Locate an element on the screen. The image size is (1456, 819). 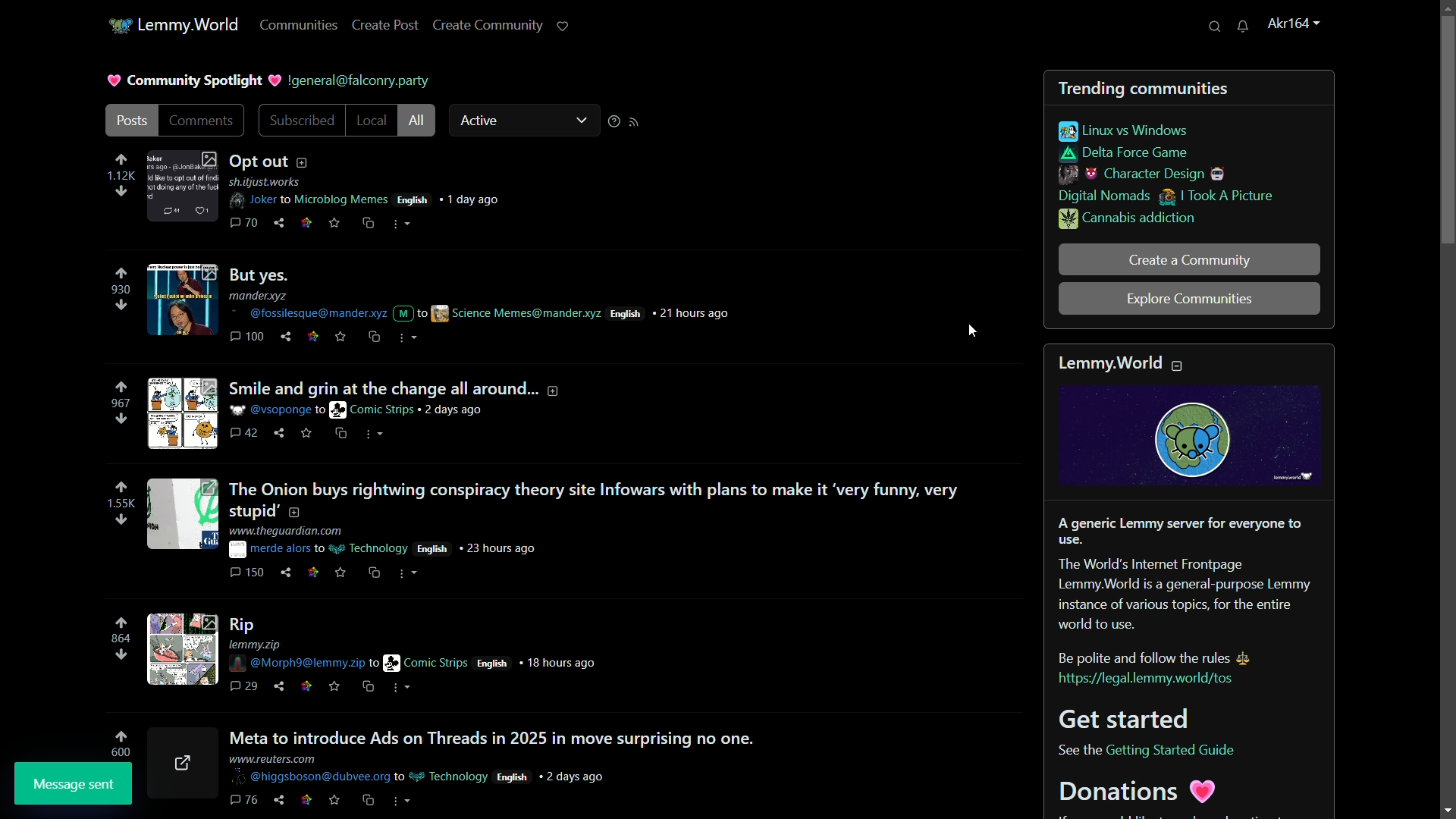
username is located at coordinates (1294, 24).